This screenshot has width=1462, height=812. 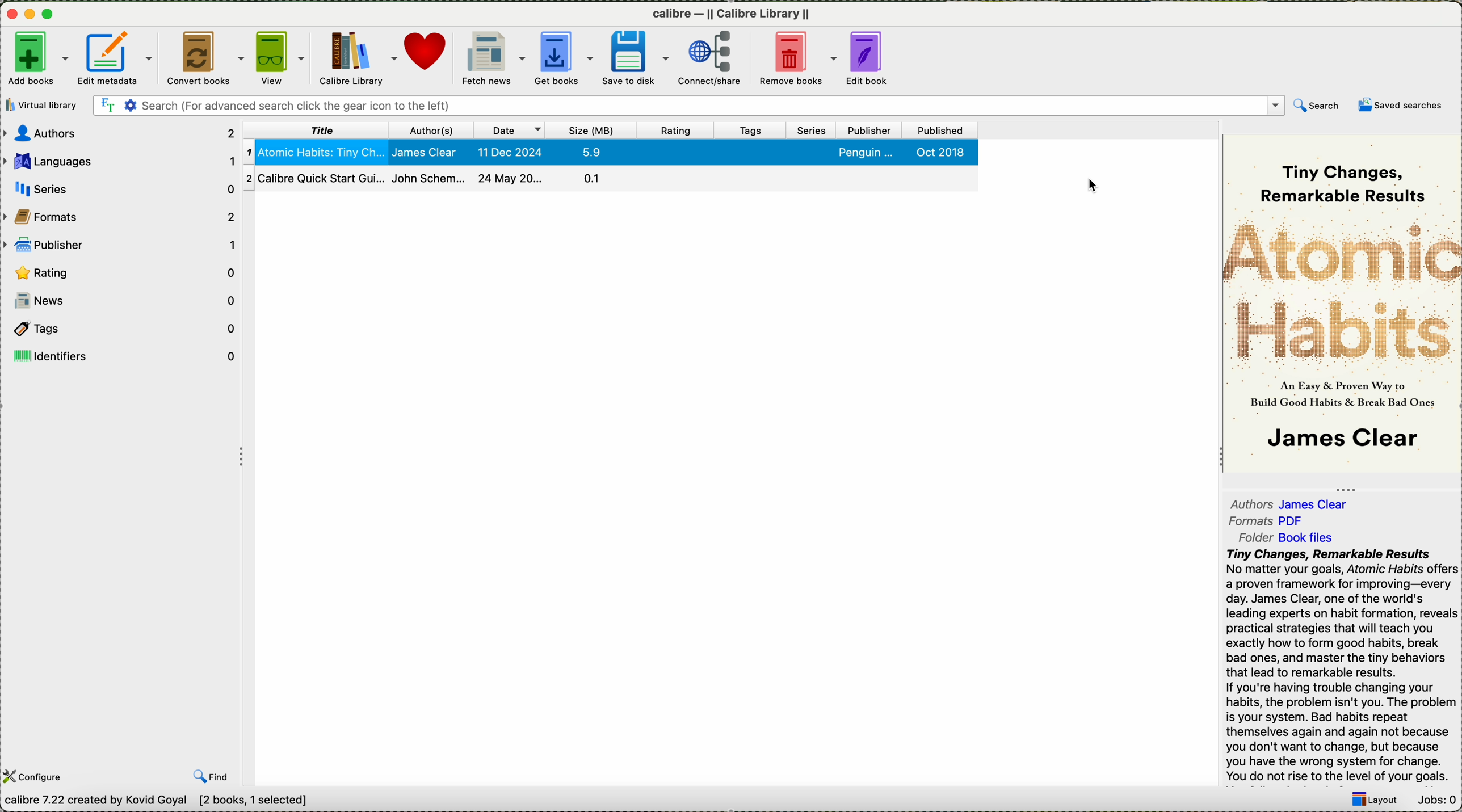 What do you see at coordinates (1436, 801) in the screenshot?
I see `Jobs: 0` at bounding box center [1436, 801].